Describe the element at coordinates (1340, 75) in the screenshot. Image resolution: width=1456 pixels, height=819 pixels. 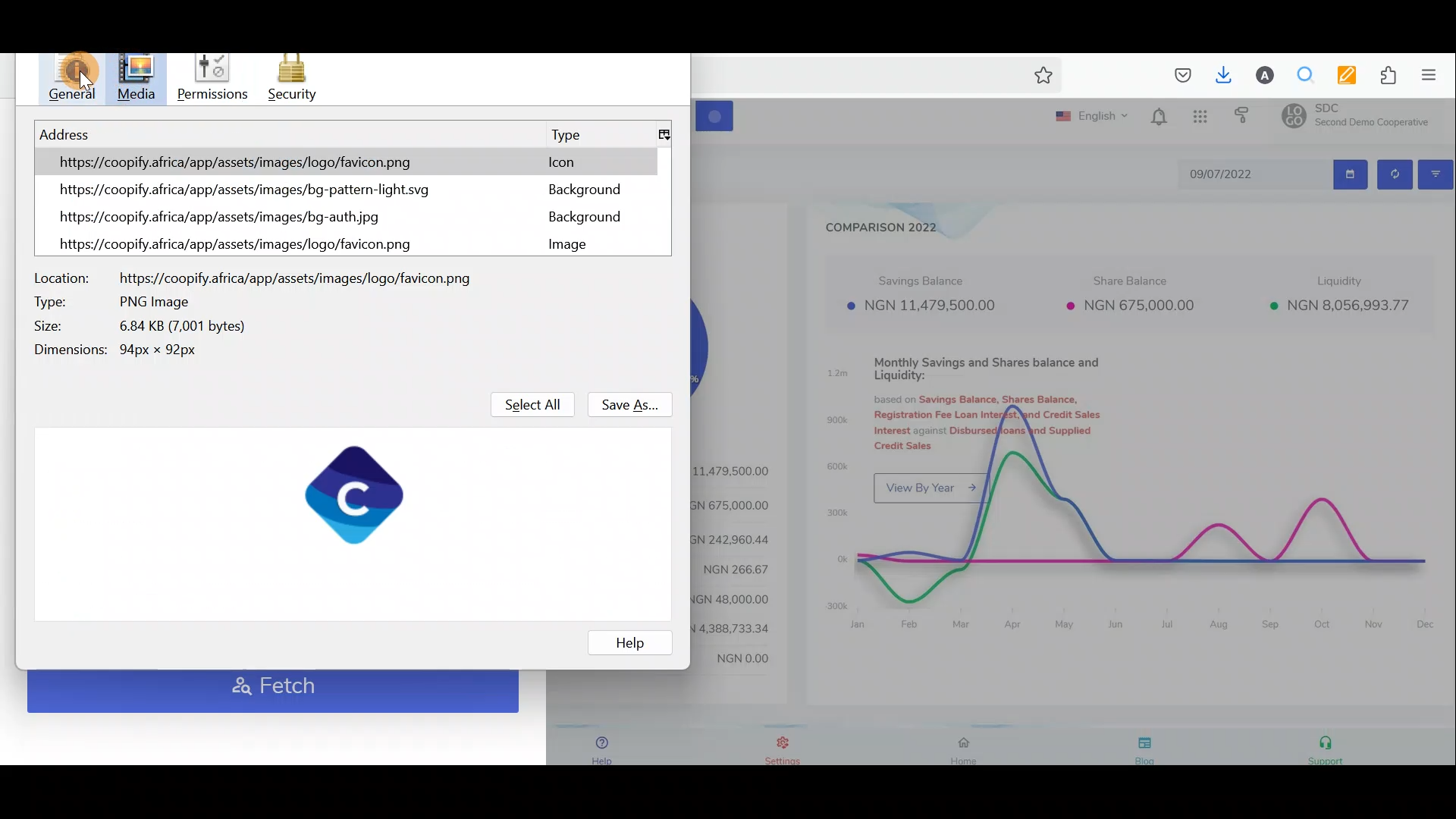
I see `Multi keywords highlighter` at that location.